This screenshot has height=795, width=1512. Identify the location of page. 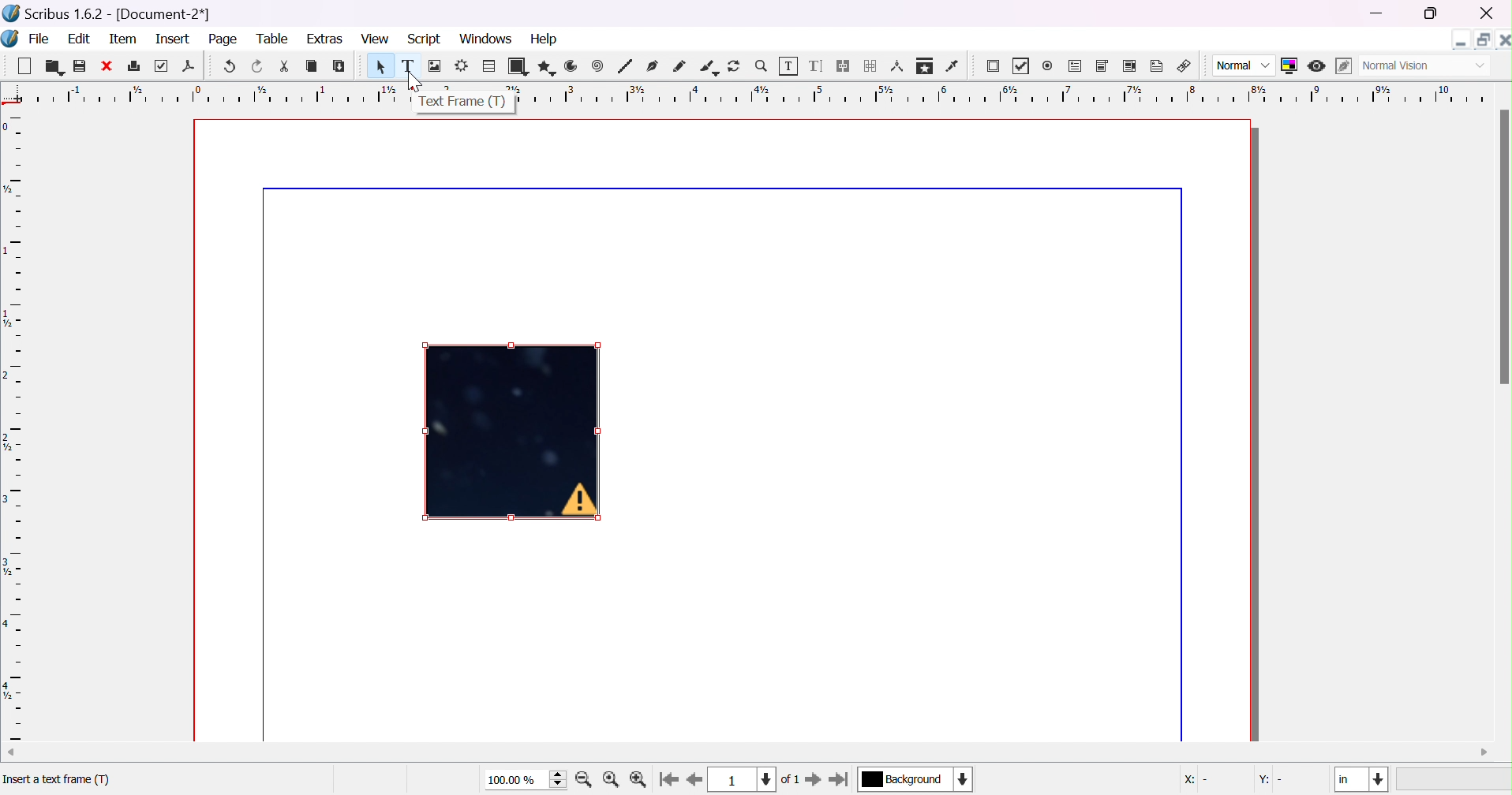
(226, 40).